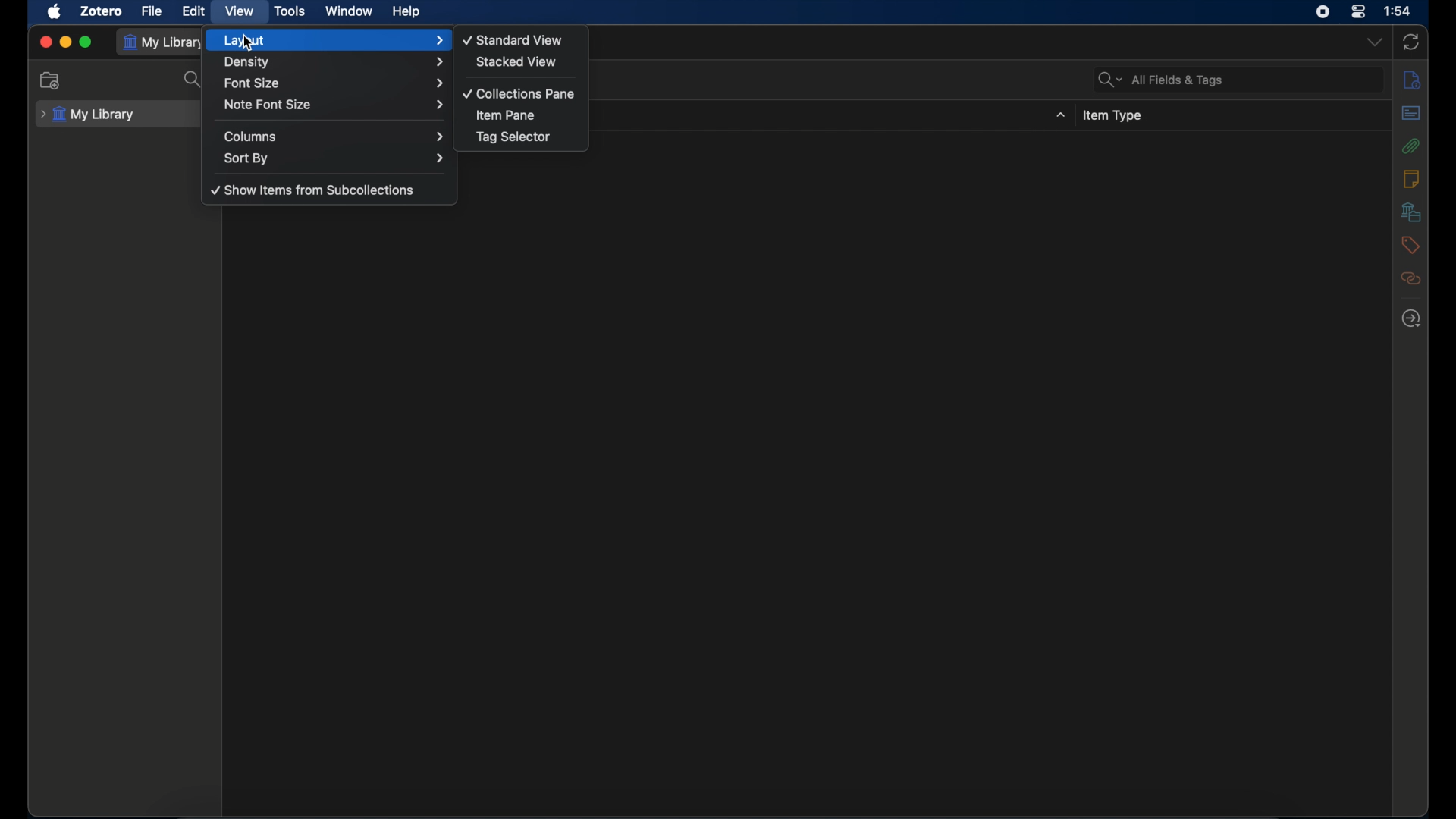  What do you see at coordinates (194, 80) in the screenshot?
I see `search` at bounding box center [194, 80].